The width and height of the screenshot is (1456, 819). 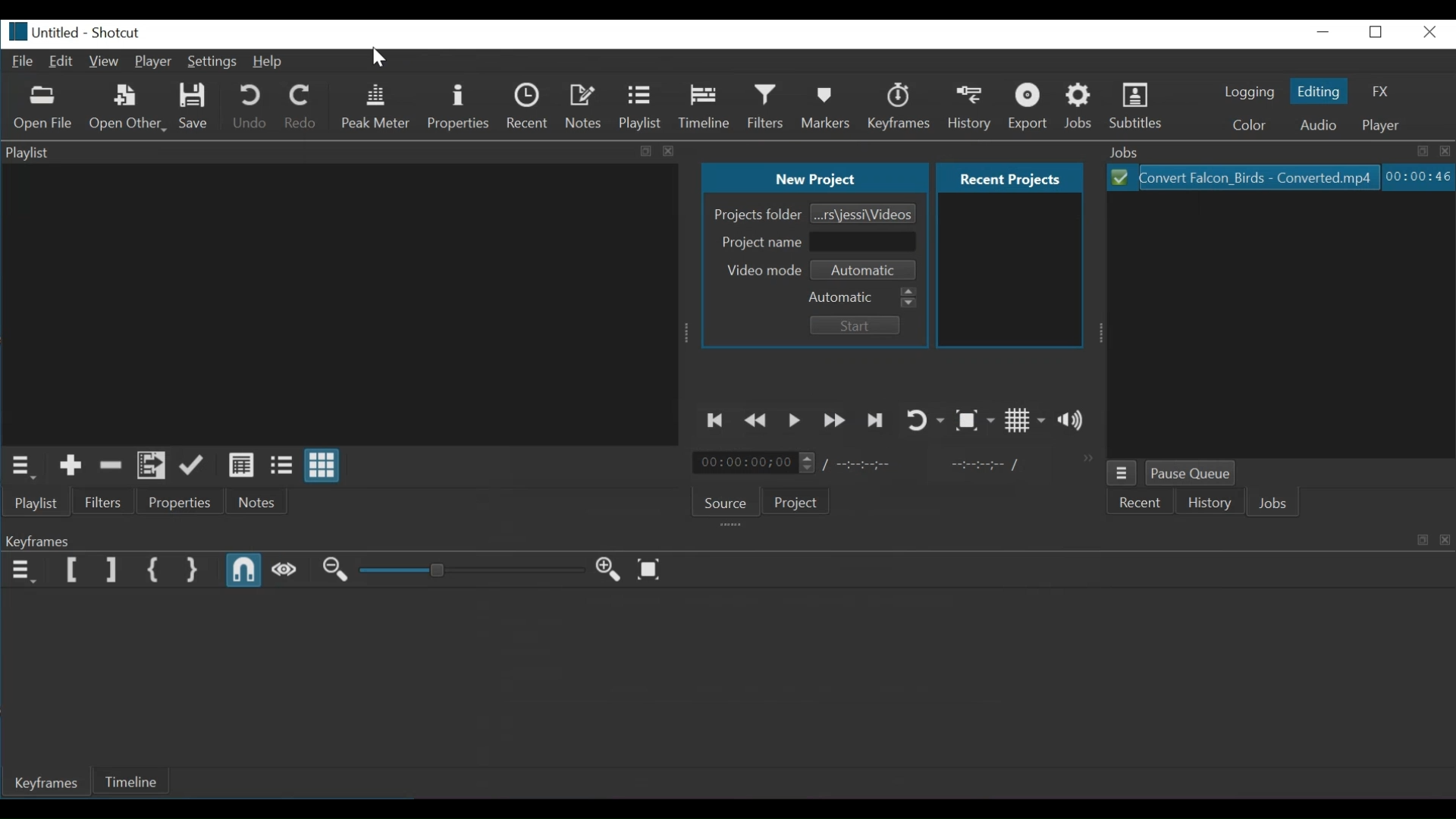 What do you see at coordinates (322, 465) in the screenshot?
I see `View as icons` at bounding box center [322, 465].